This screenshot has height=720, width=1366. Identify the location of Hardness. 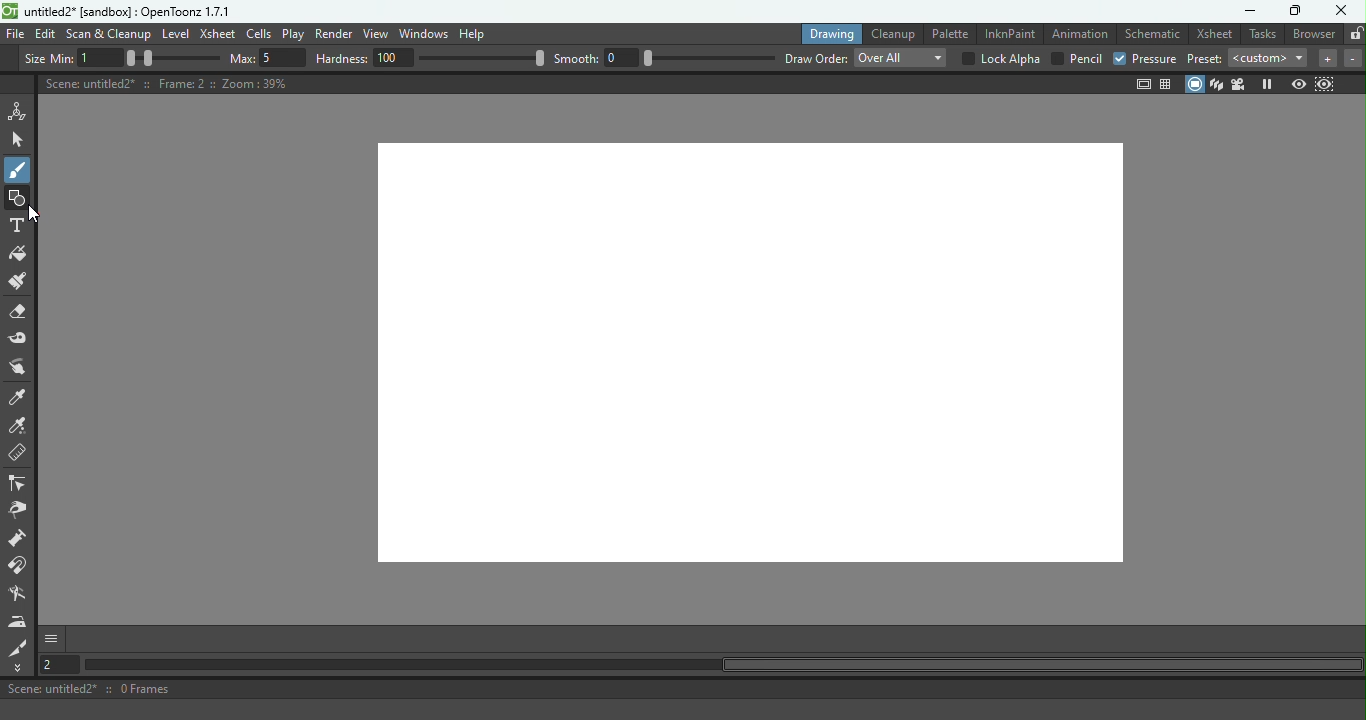
(431, 59).